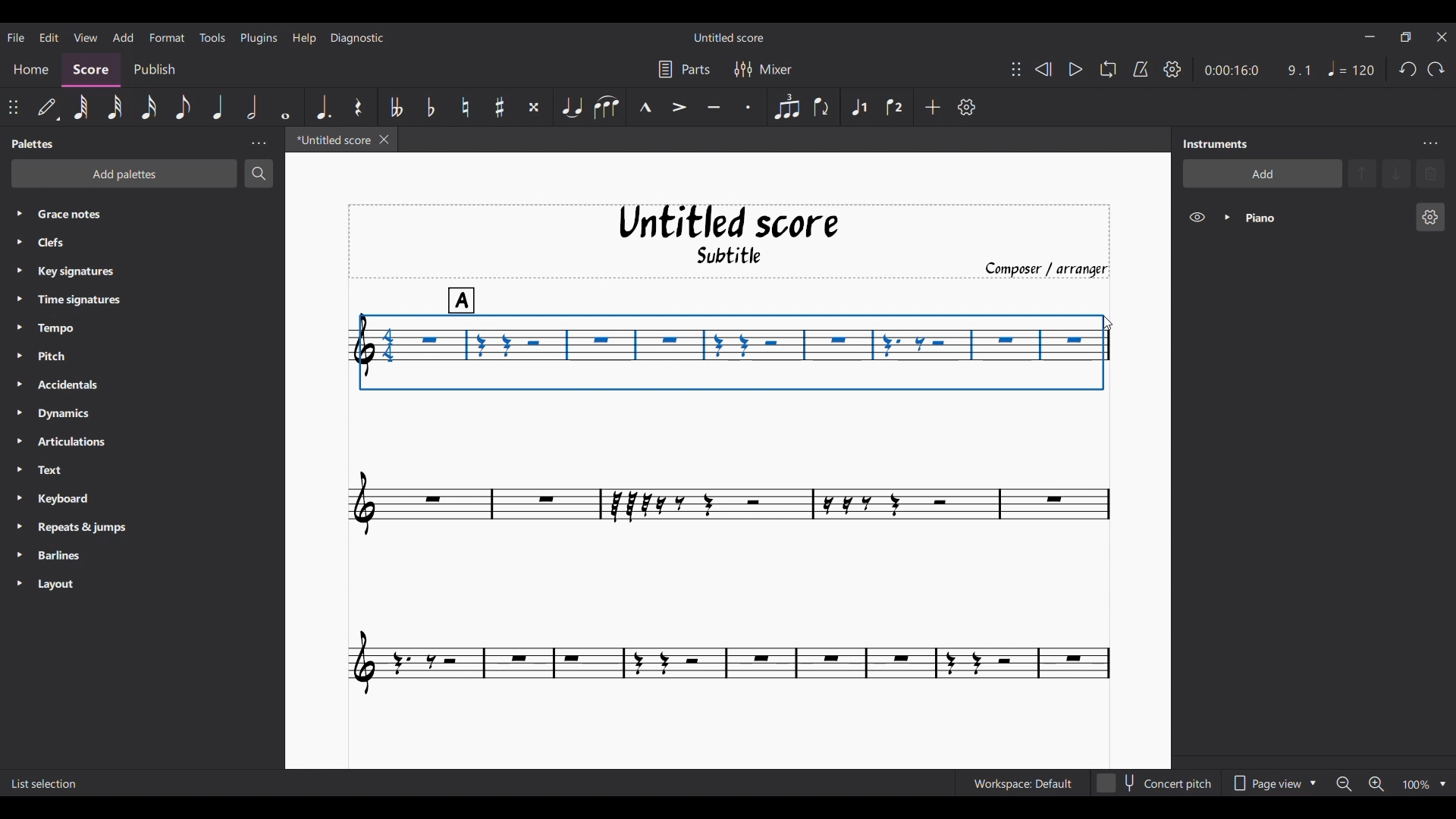  What do you see at coordinates (645, 106) in the screenshot?
I see `Marcato` at bounding box center [645, 106].